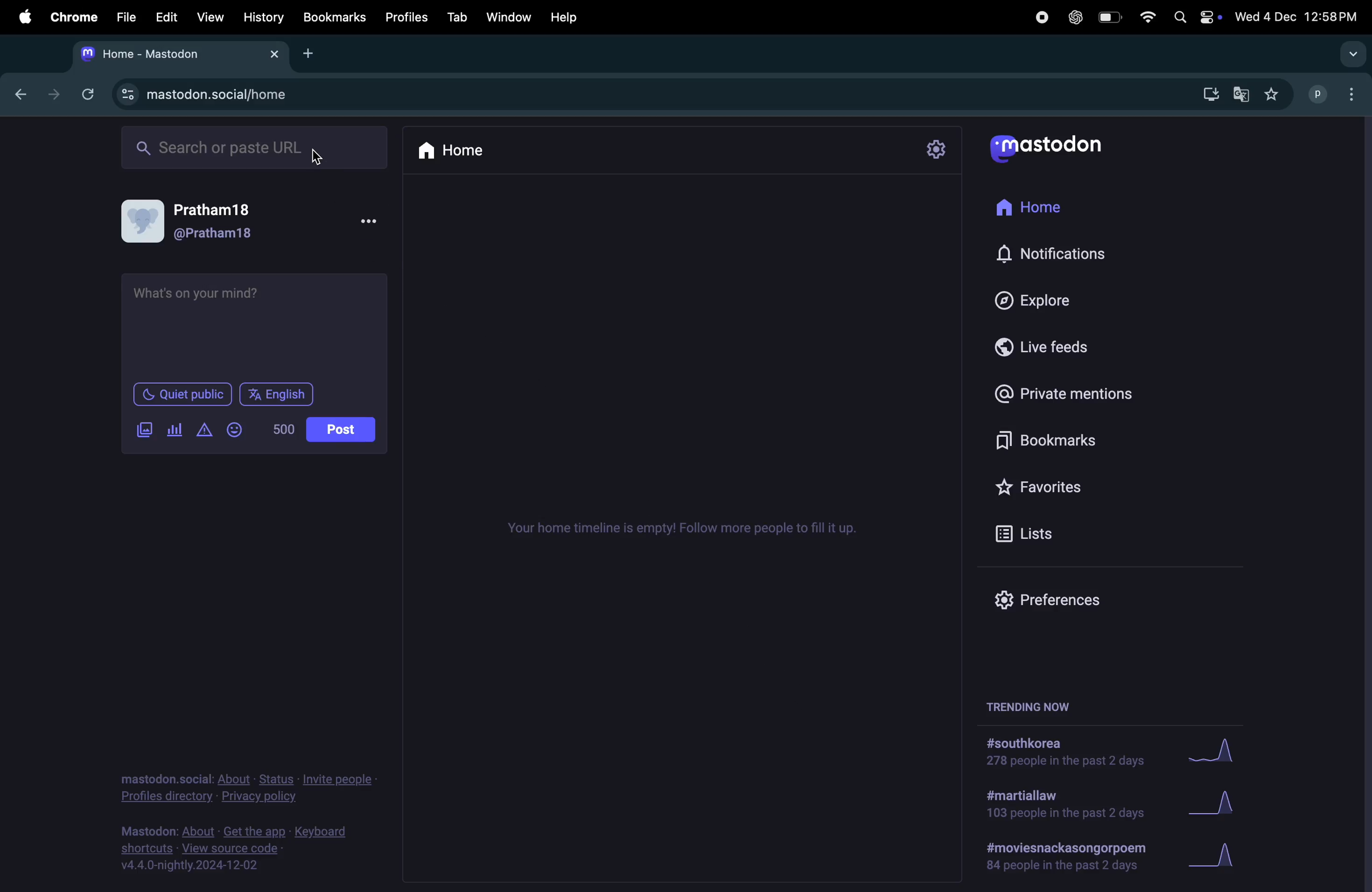  Describe the element at coordinates (1068, 859) in the screenshot. I see `#moviesand poem` at that location.